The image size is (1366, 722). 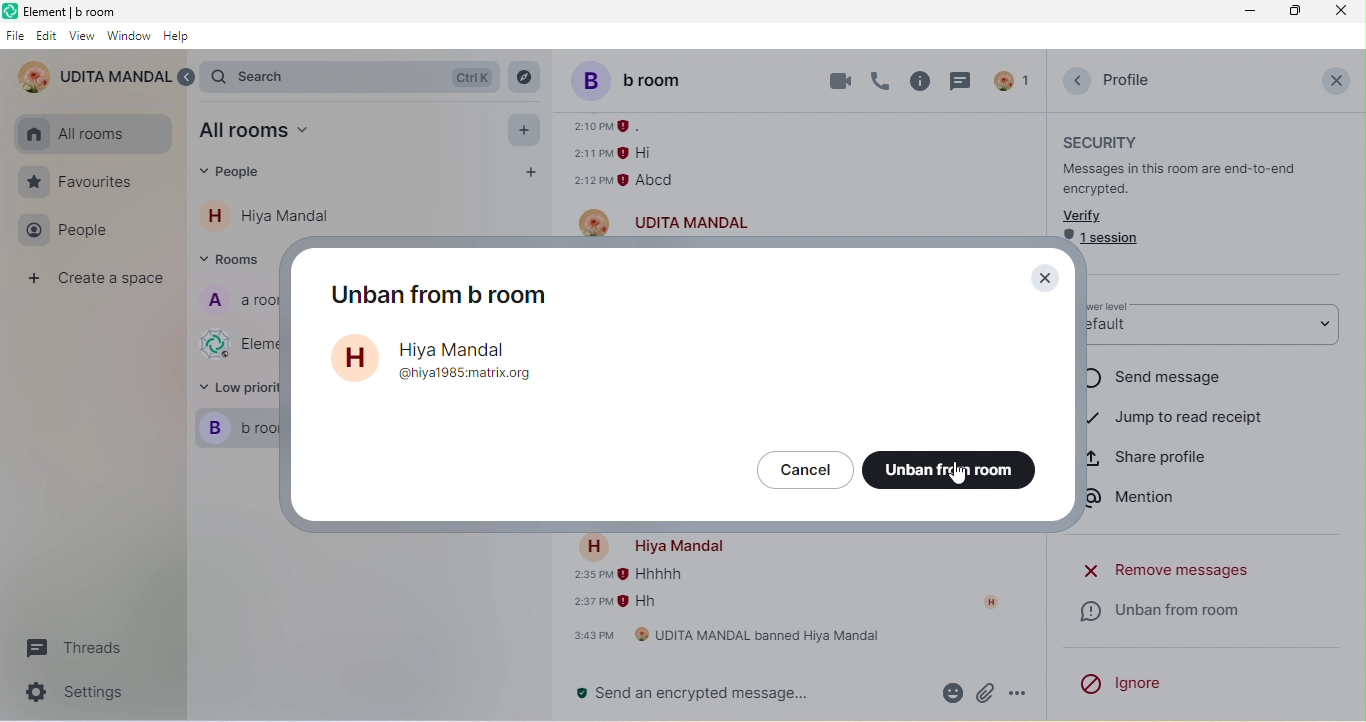 I want to click on threads, so click(x=70, y=651).